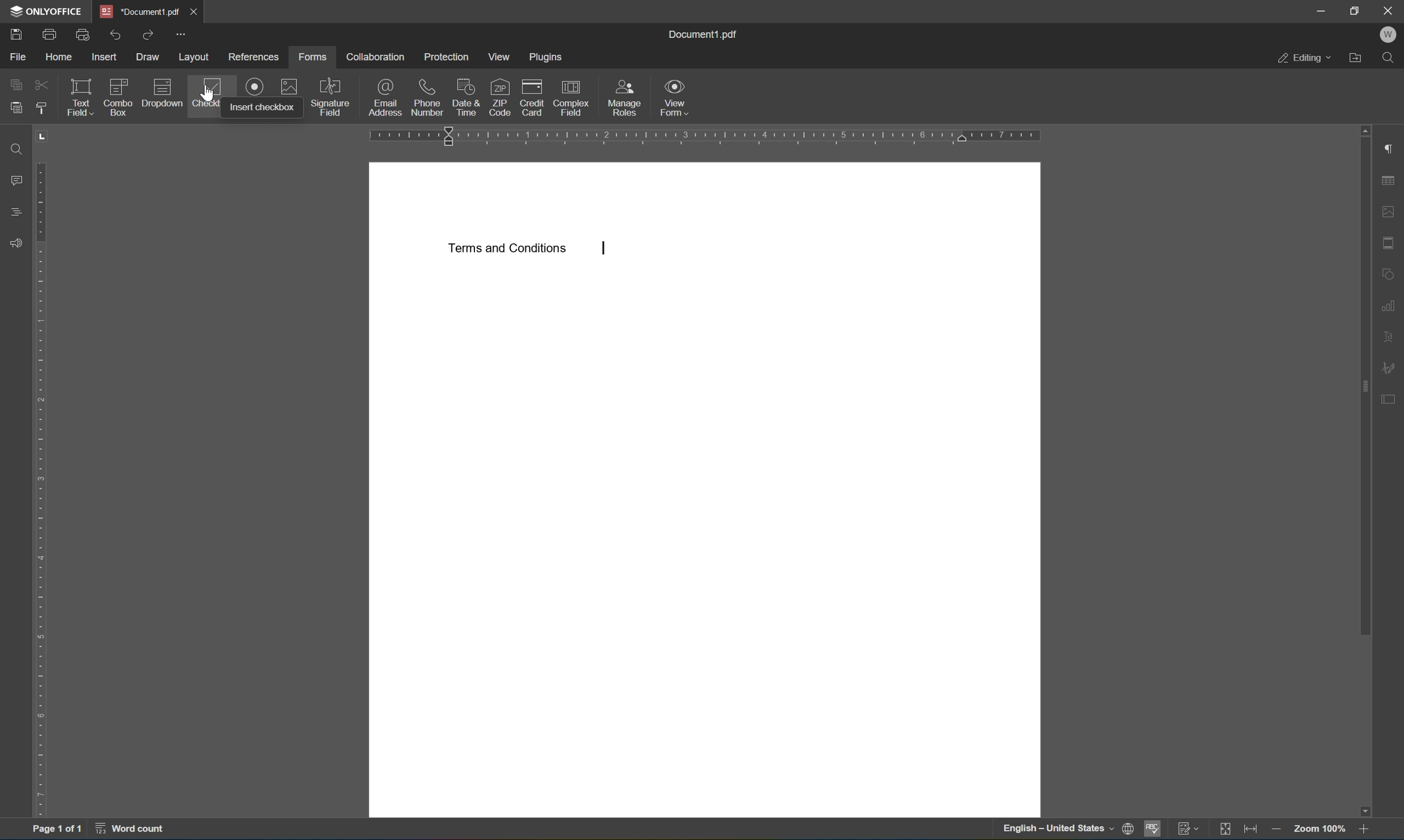 This screenshot has width=1404, height=840. What do you see at coordinates (1391, 212) in the screenshot?
I see `image settings` at bounding box center [1391, 212].